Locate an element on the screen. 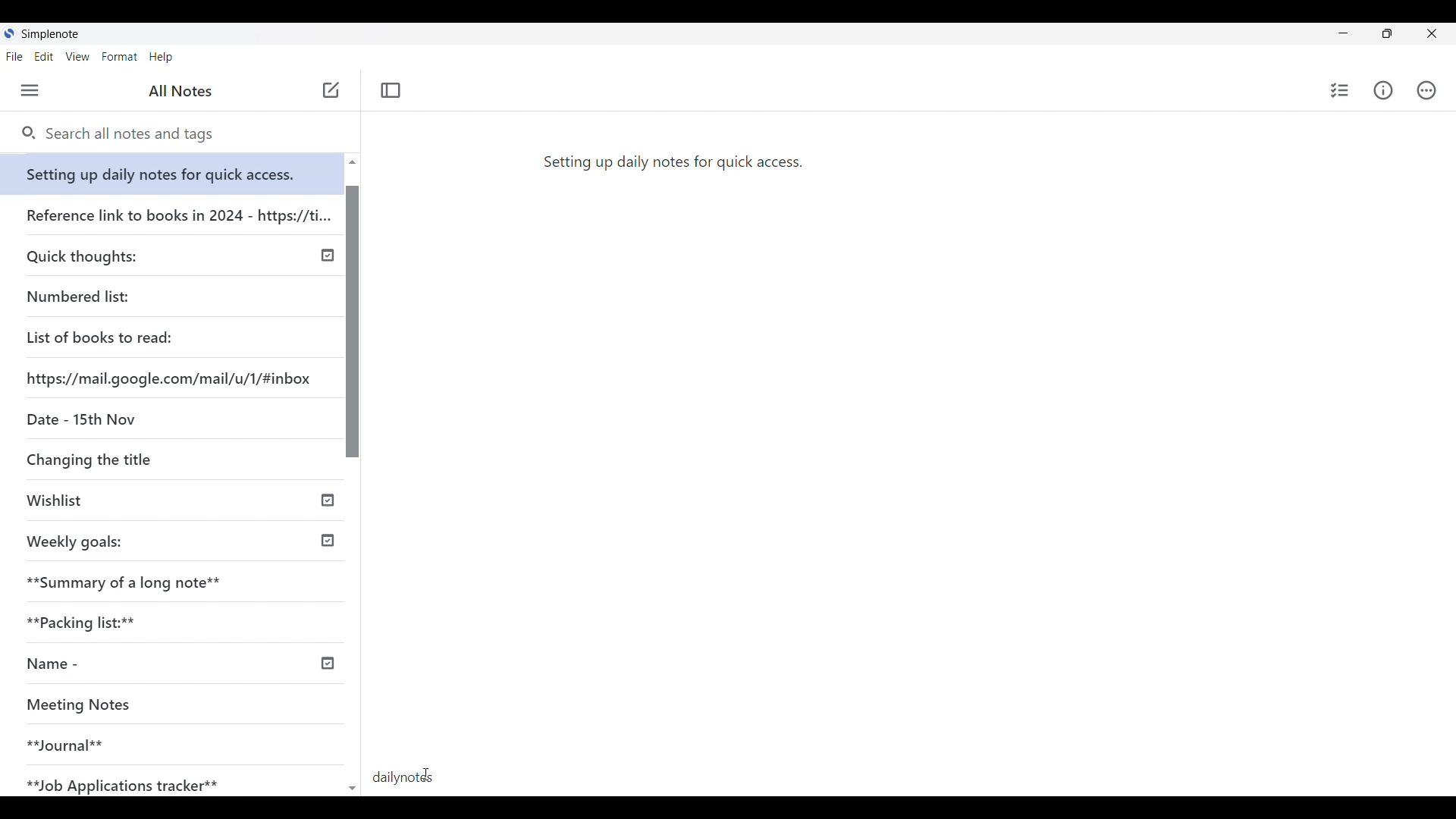  Insert checklist is located at coordinates (1339, 90).